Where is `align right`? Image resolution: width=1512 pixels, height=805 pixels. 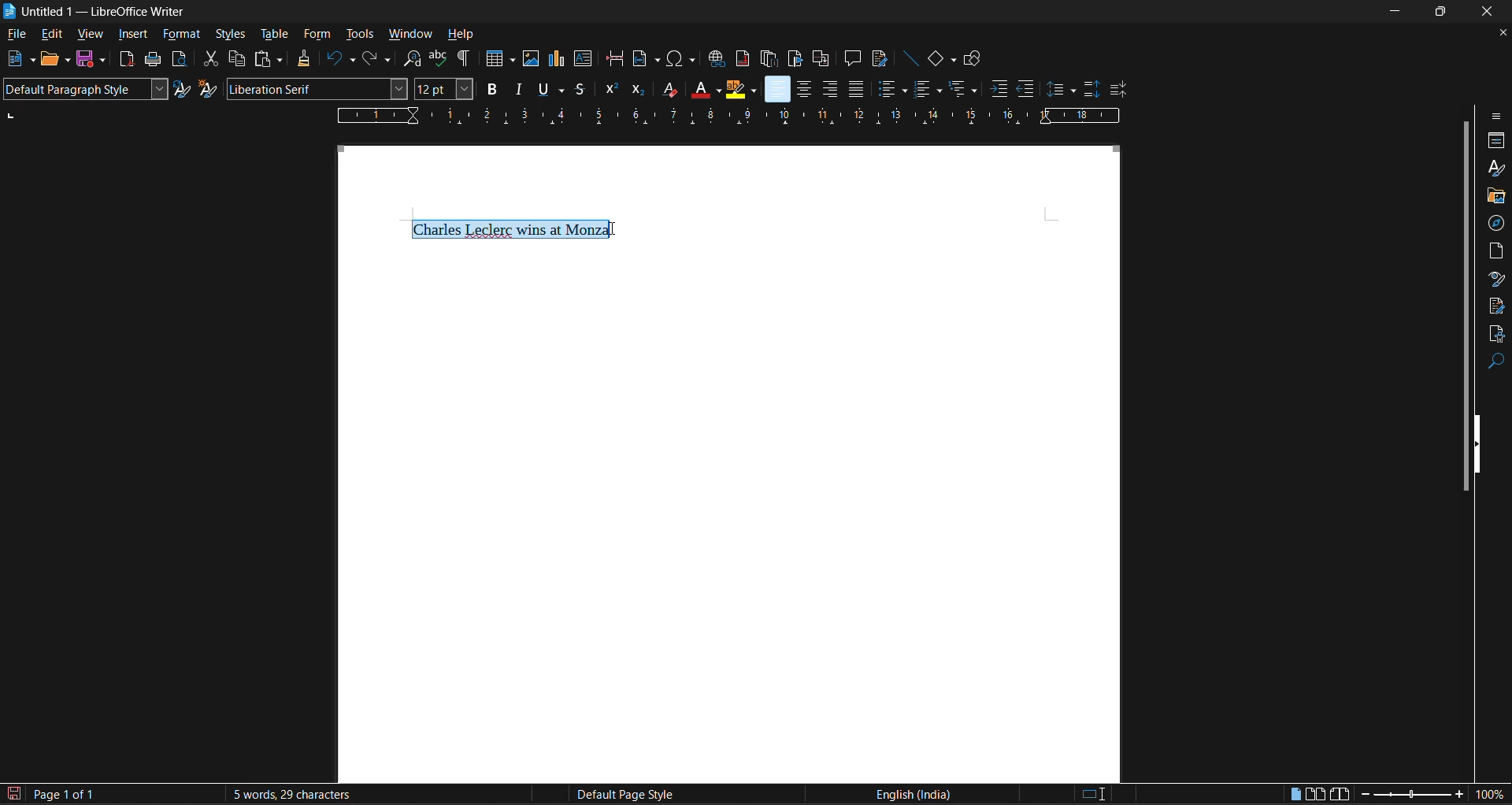
align right is located at coordinates (826, 89).